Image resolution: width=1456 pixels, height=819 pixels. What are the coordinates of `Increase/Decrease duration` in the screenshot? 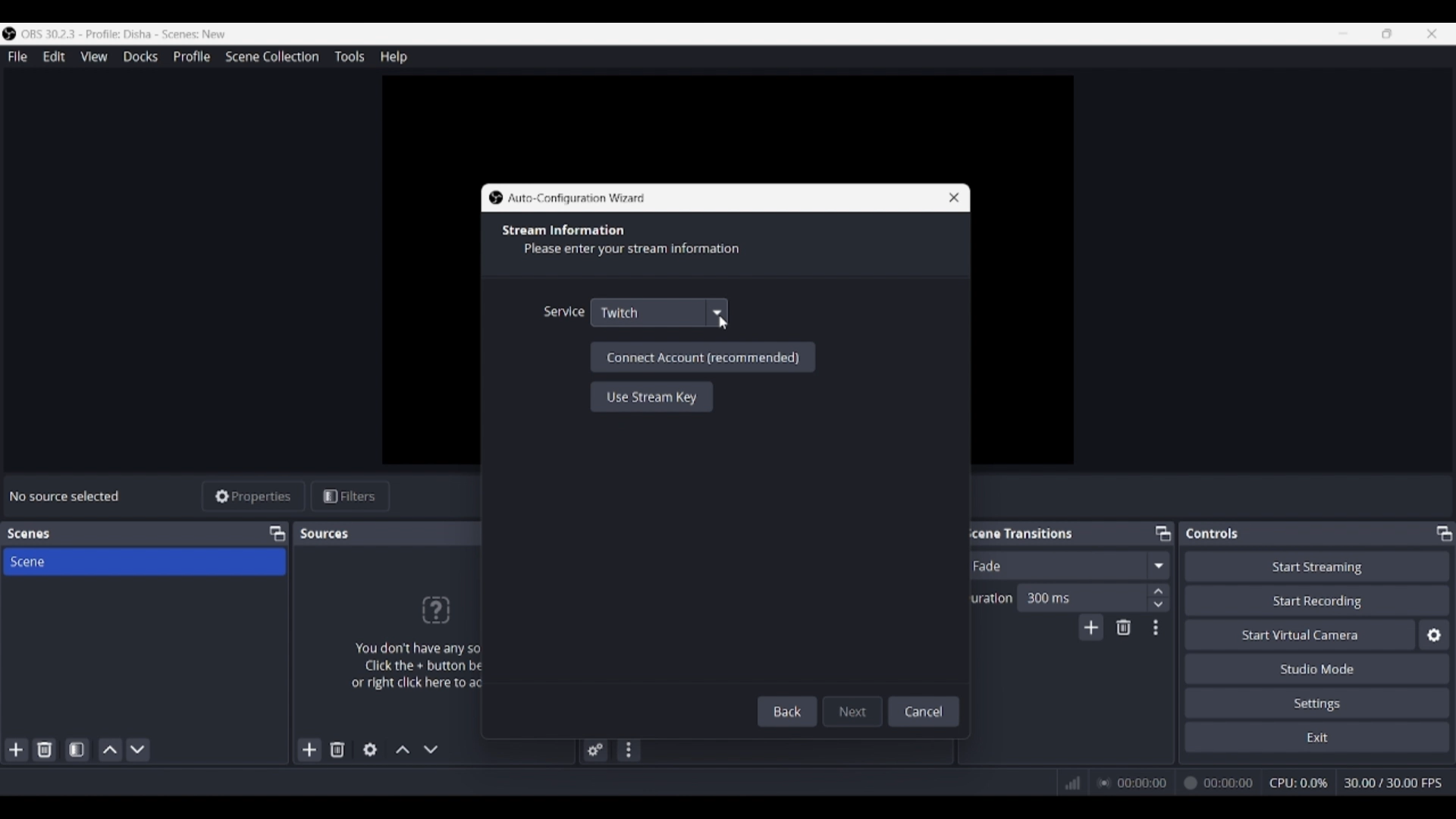 It's located at (1159, 597).